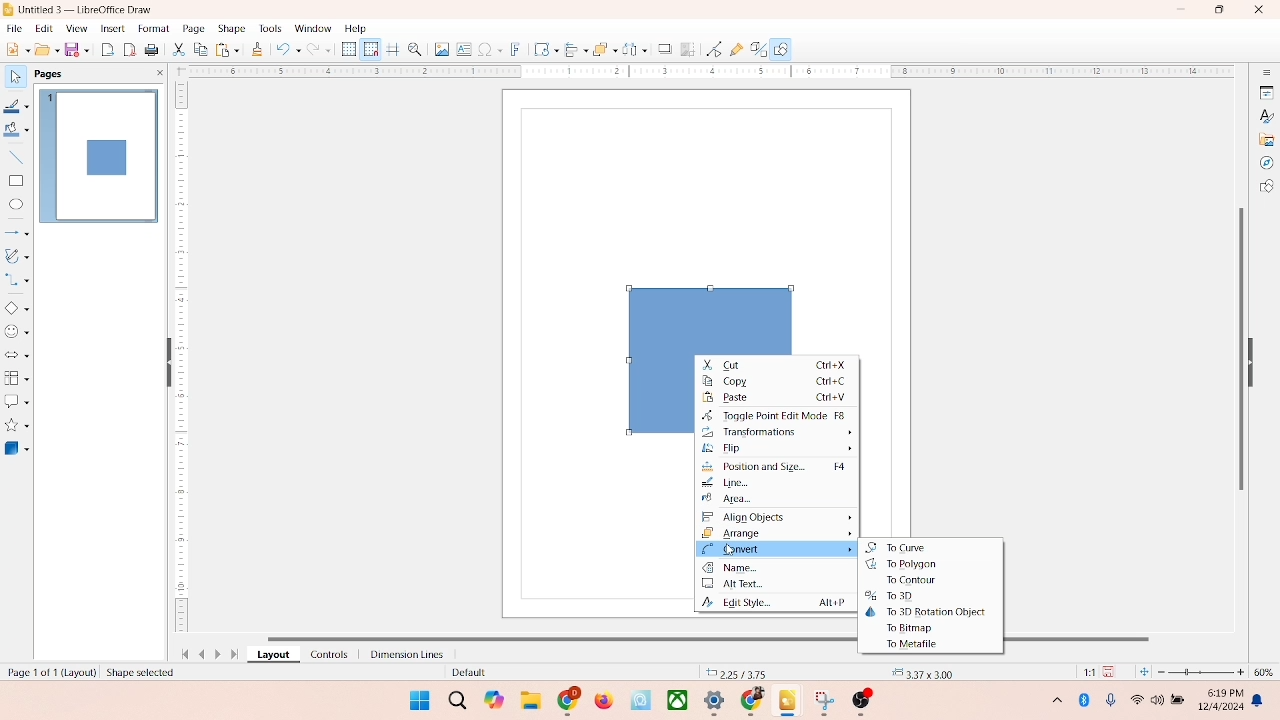 This screenshot has height=720, width=1280. What do you see at coordinates (153, 27) in the screenshot?
I see `format` at bounding box center [153, 27].